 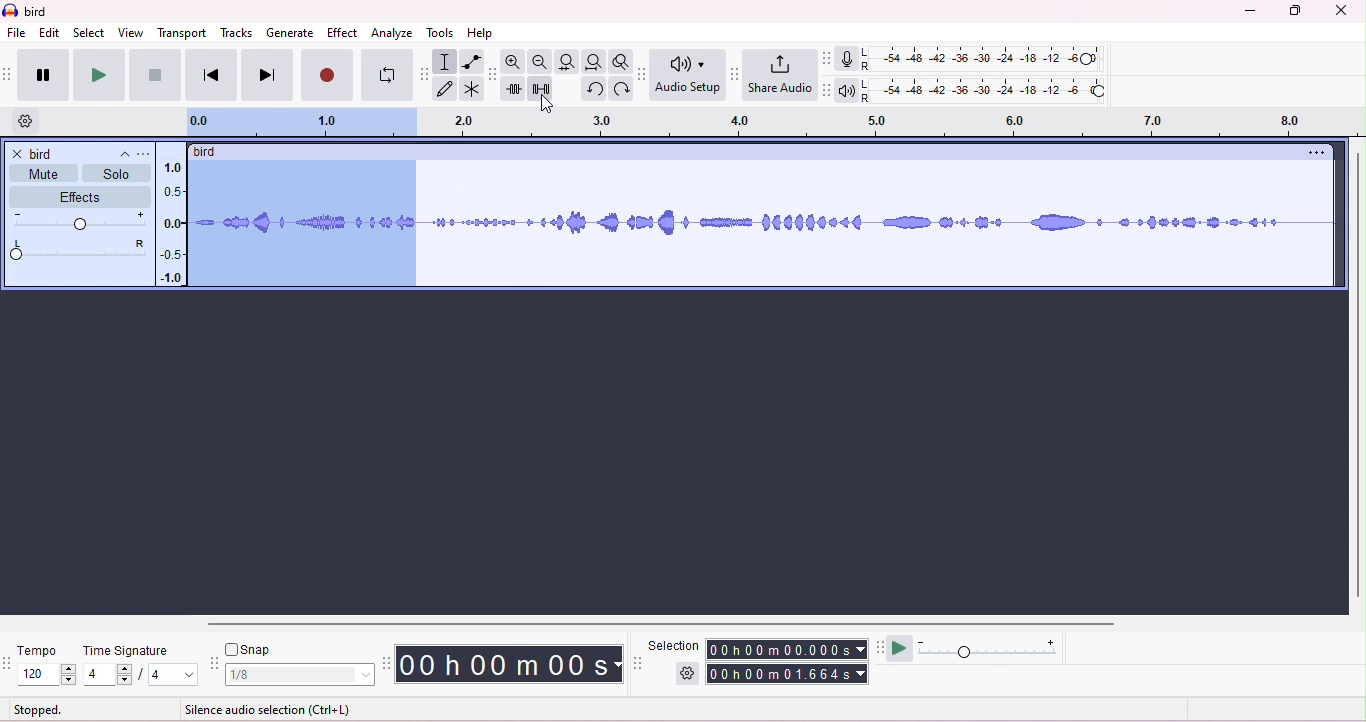 What do you see at coordinates (544, 89) in the screenshot?
I see `silence selection` at bounding box center [544, 89].